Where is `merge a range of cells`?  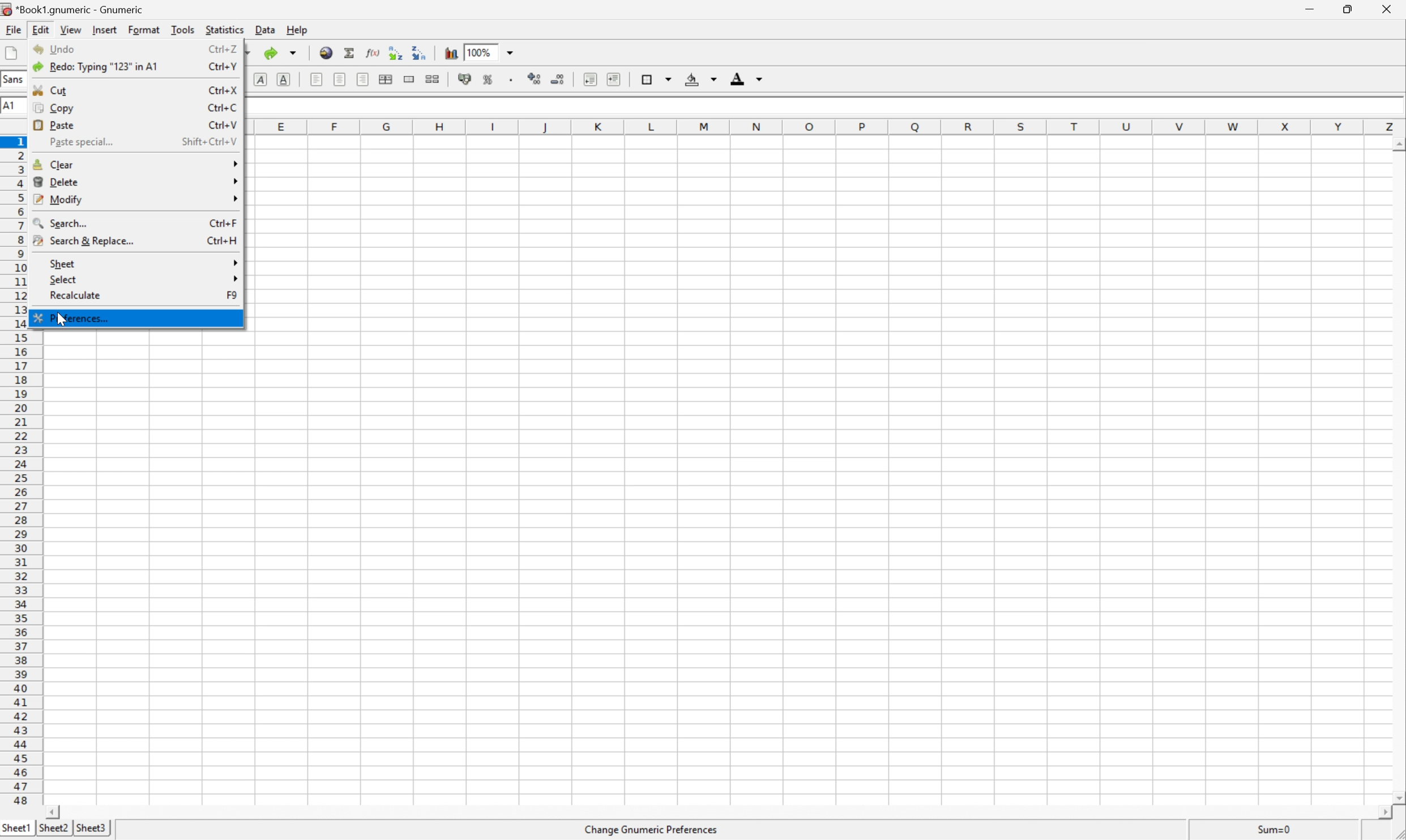
merge a range of cells is located at coordinates (408, 78).